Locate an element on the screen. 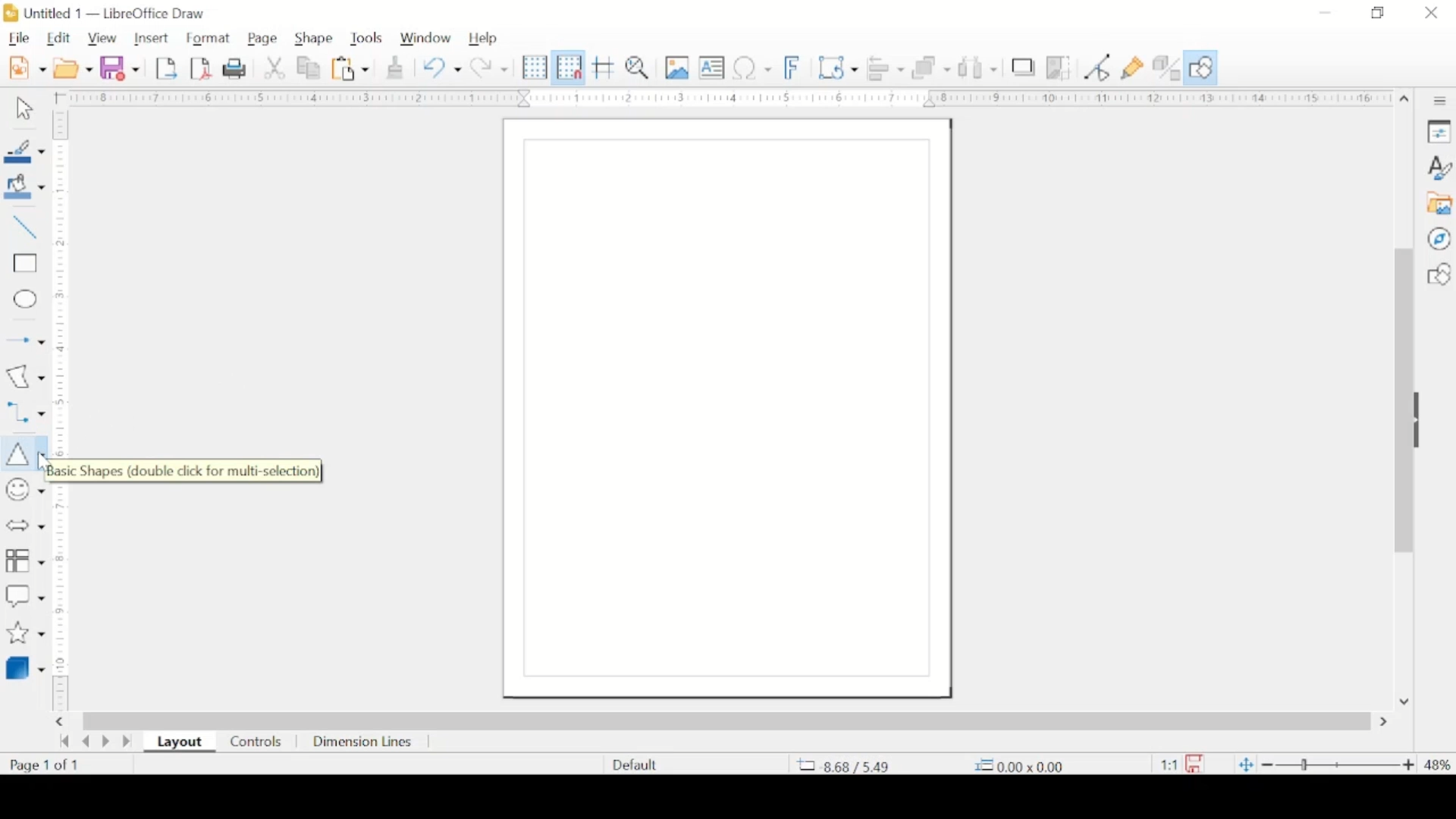  controls is located at coordinates (255, 742).